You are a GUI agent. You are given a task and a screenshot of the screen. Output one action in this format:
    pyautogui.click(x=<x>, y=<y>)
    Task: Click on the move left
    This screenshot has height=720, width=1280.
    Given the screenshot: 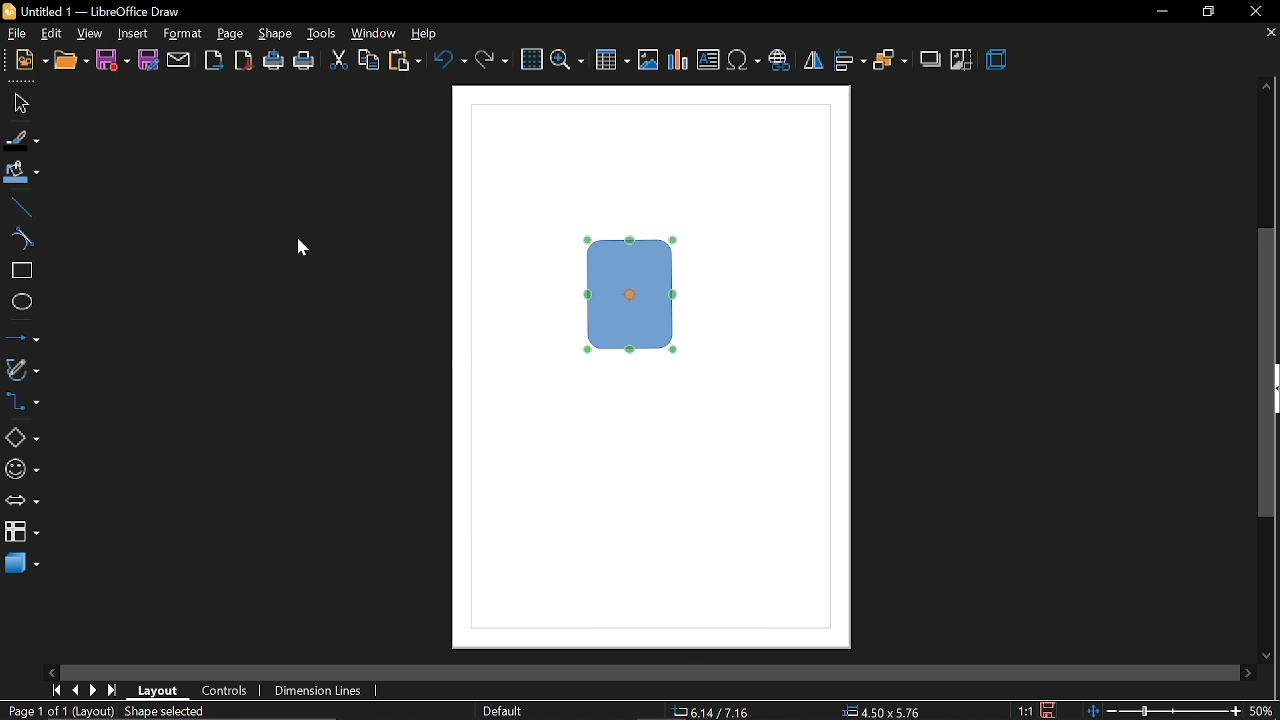 What is the action you would take?
    pyautogui.click(x=53, y=673)
    